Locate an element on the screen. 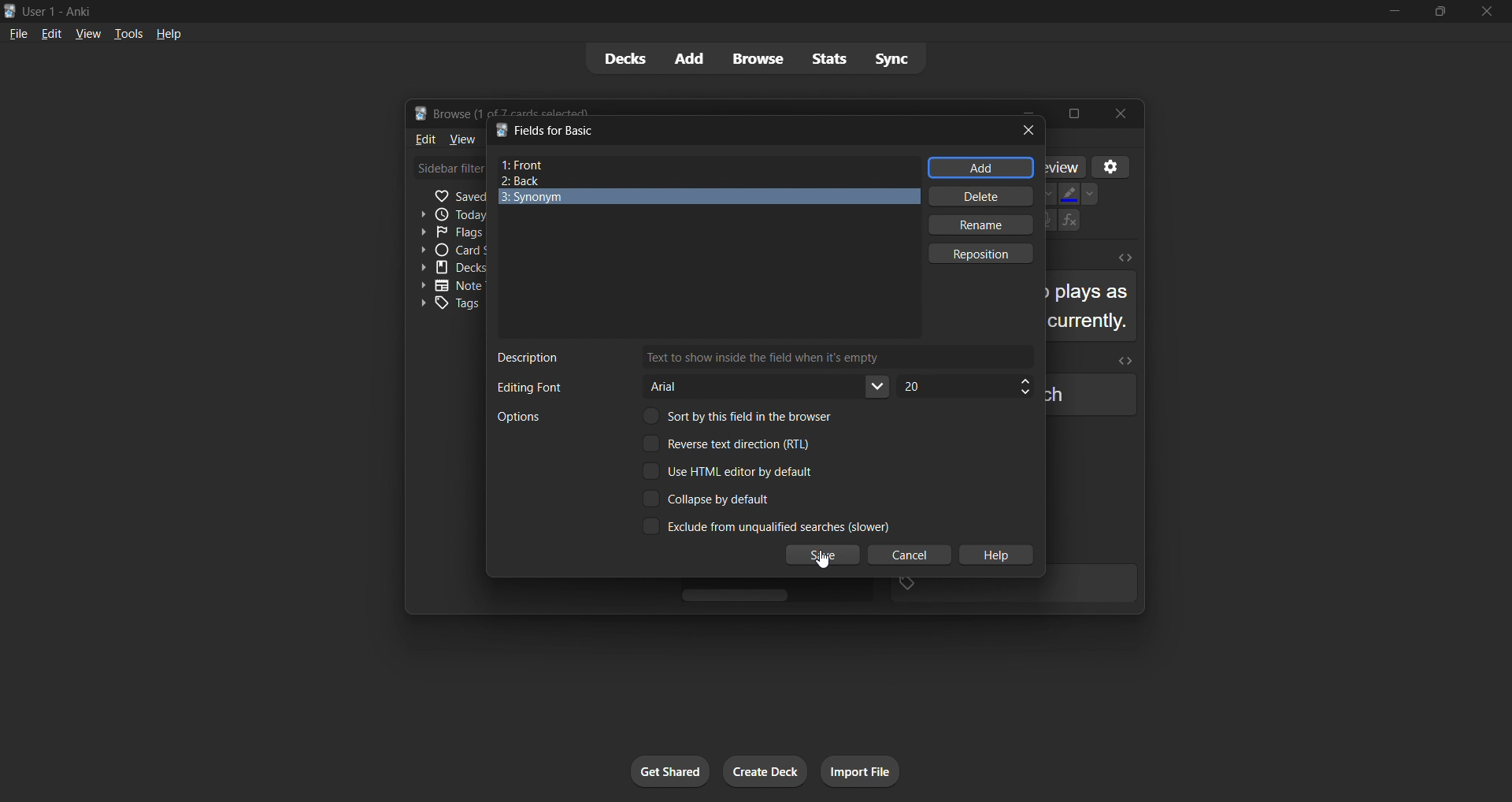  edit is located at coordinates (50, 33).